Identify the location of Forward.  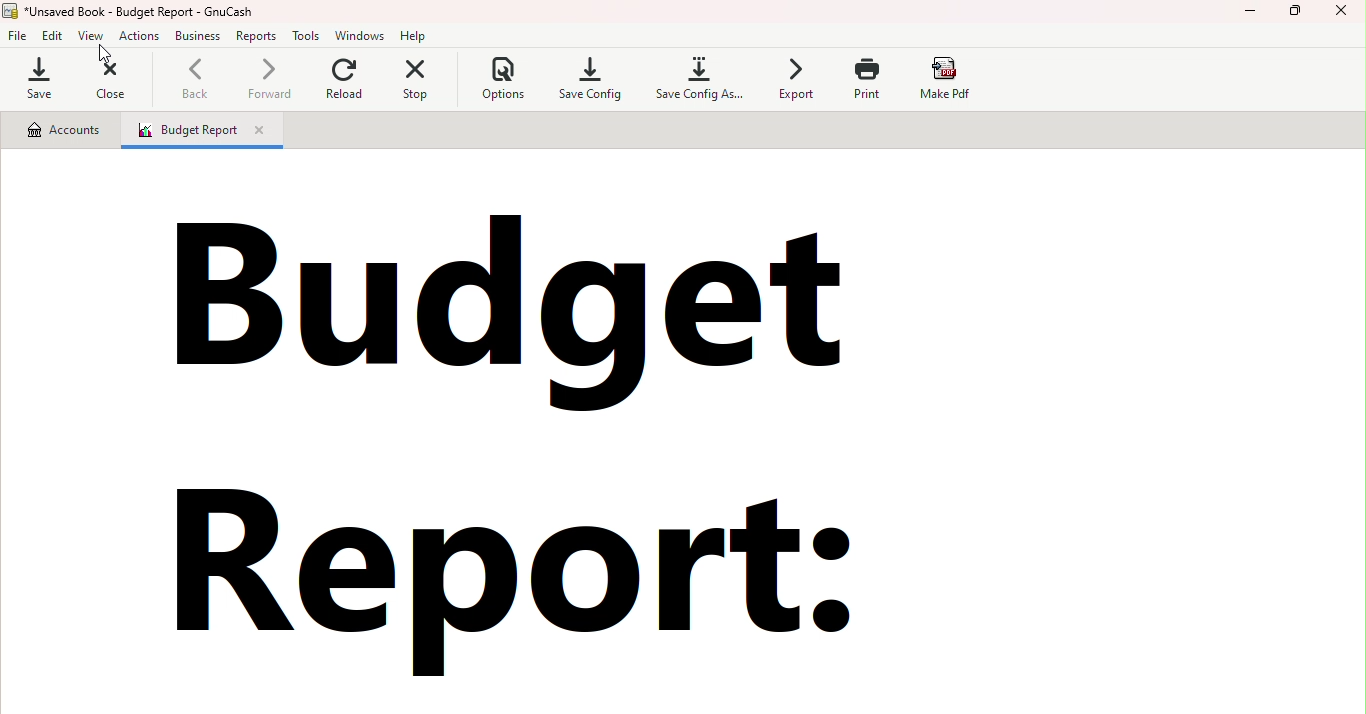
(267, 82).